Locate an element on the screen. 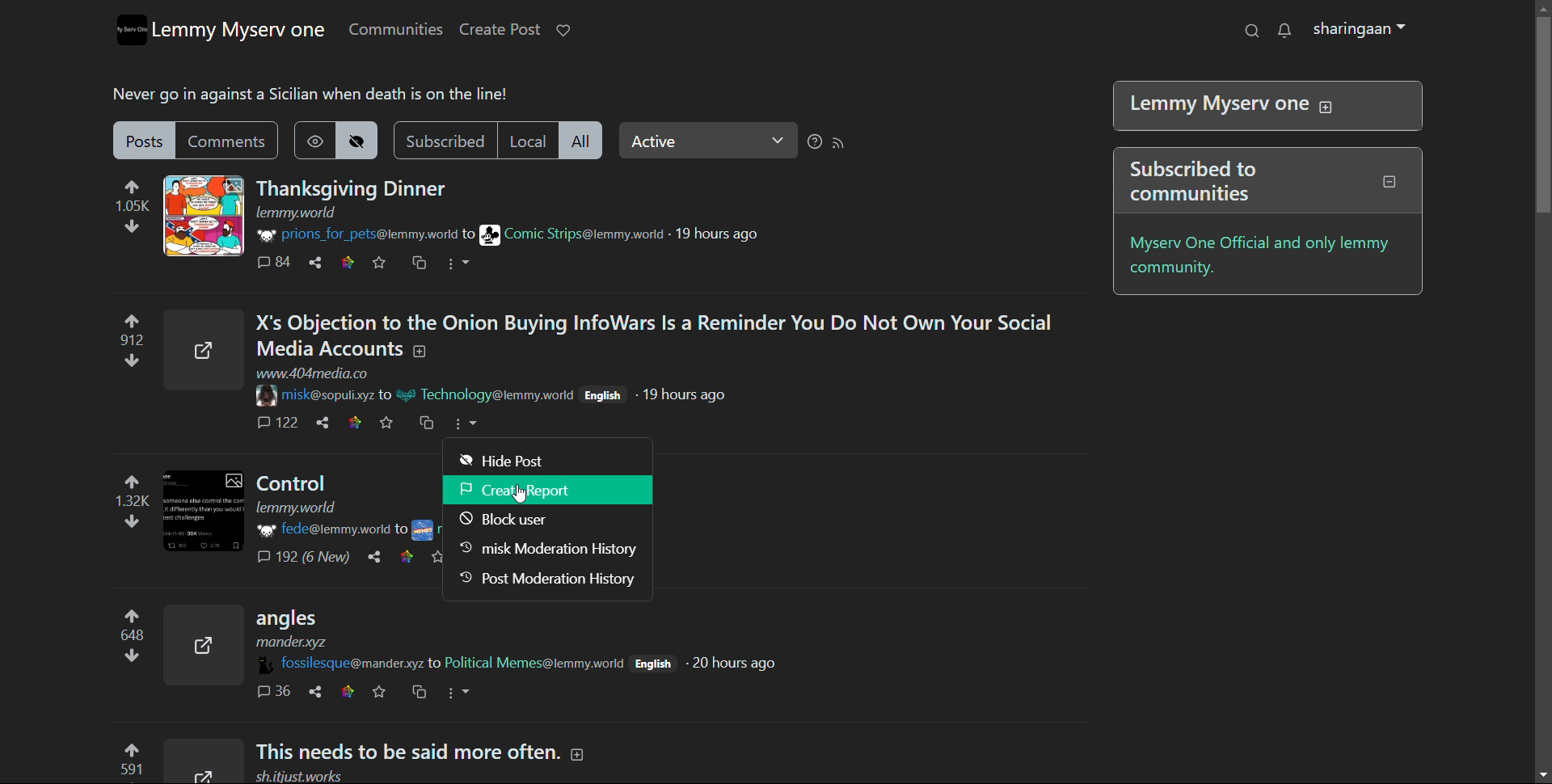 The height and width of the screenshot is (784, 1552). notifications is located at coordinates (1284, 31).